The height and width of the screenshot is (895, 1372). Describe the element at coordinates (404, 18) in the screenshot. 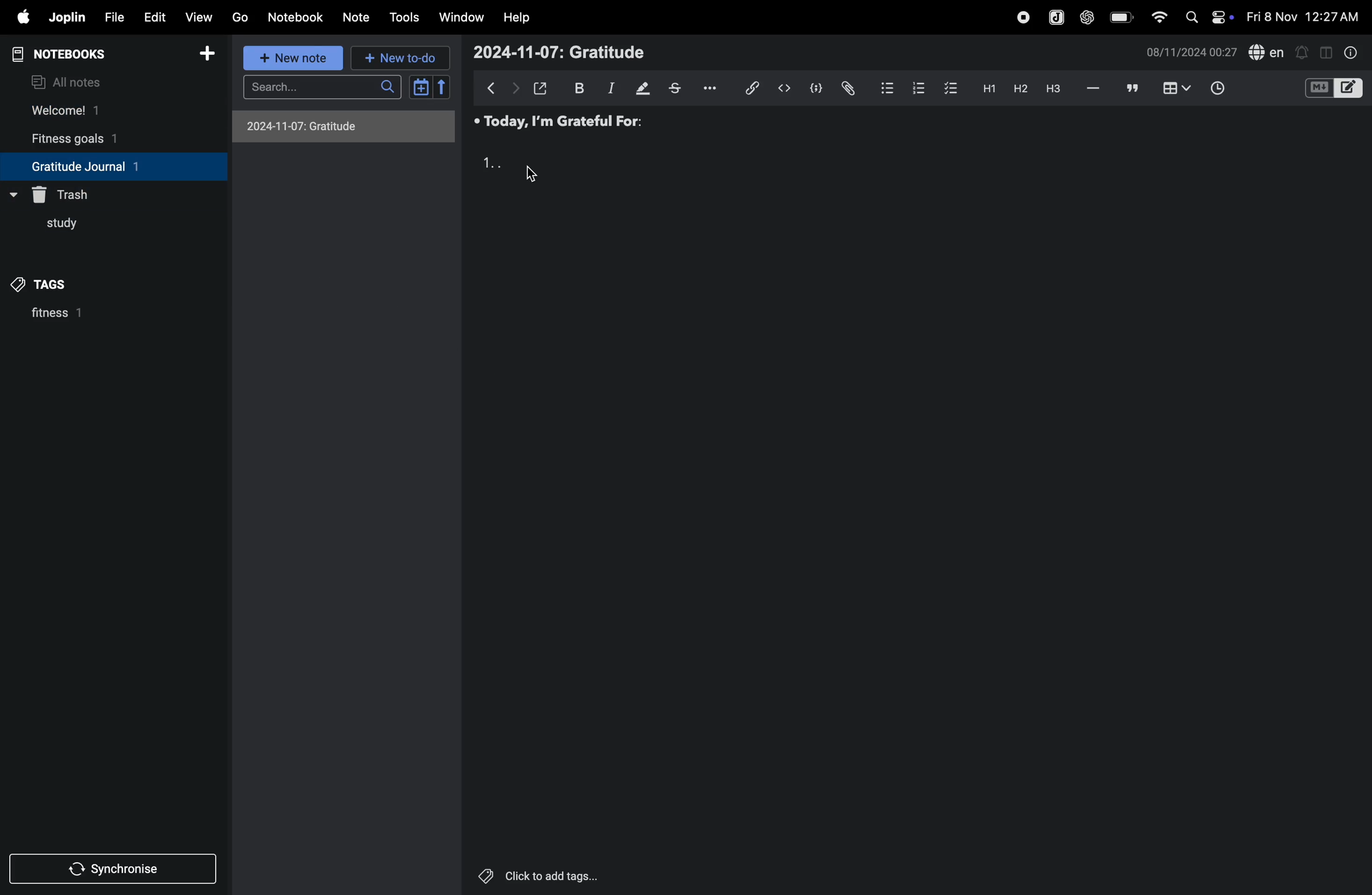

I see `tools` at that location.